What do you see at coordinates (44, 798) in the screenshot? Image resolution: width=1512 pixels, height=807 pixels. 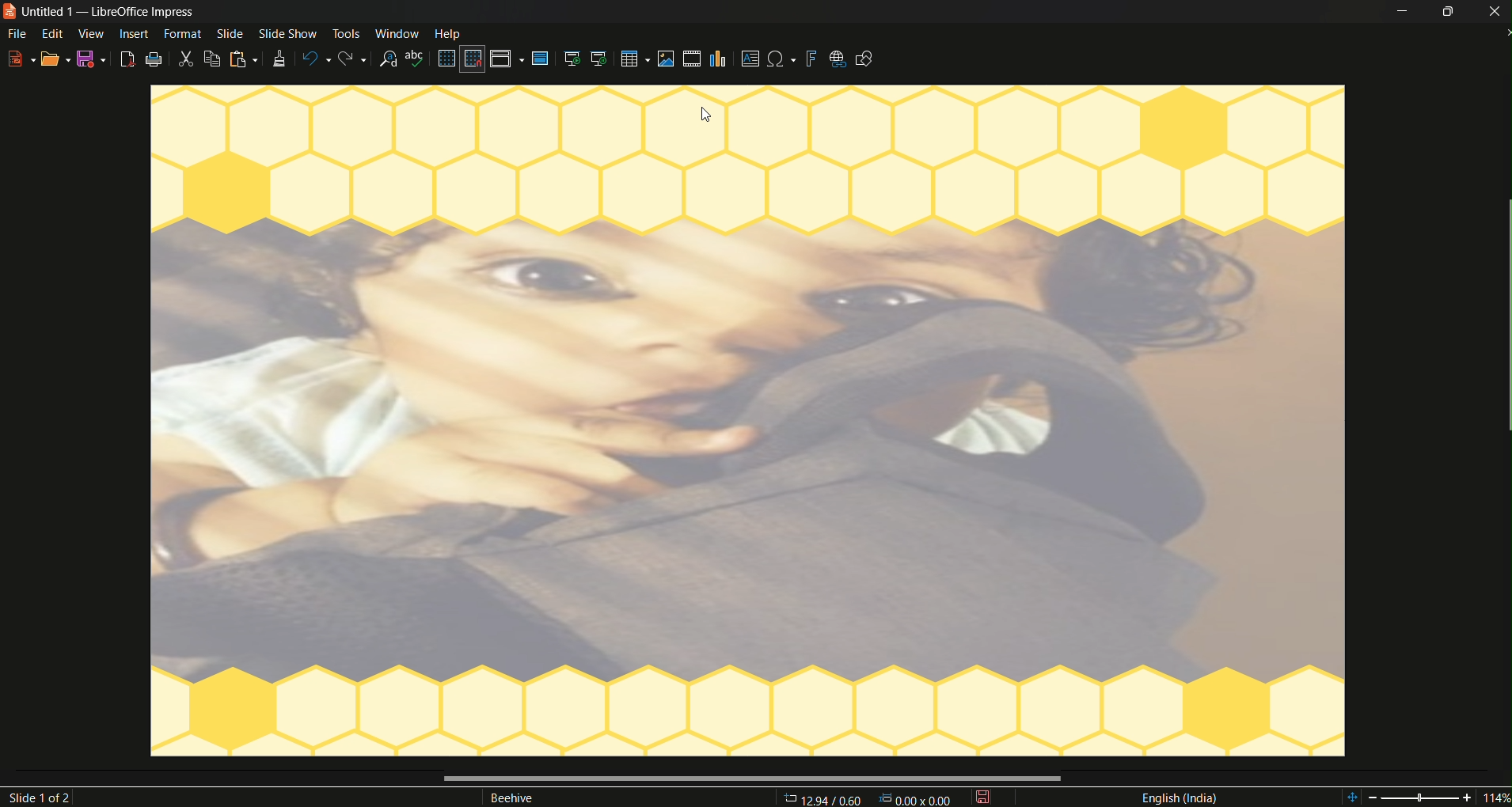 I see `slide 1of2` at bounding box center [44, 798].